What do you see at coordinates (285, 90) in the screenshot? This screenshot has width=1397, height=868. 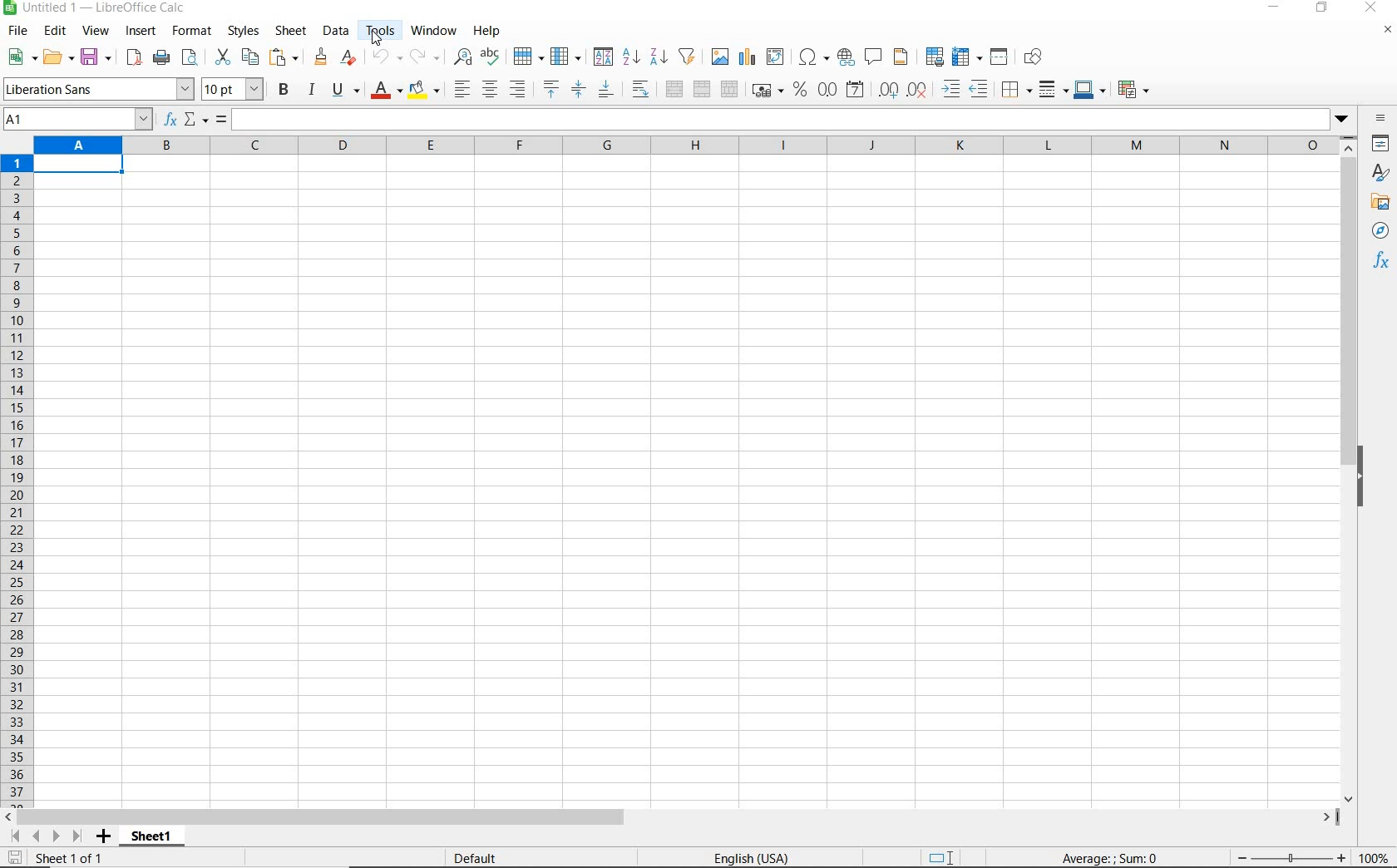 I see `bold` at bounding box center [285, 90].